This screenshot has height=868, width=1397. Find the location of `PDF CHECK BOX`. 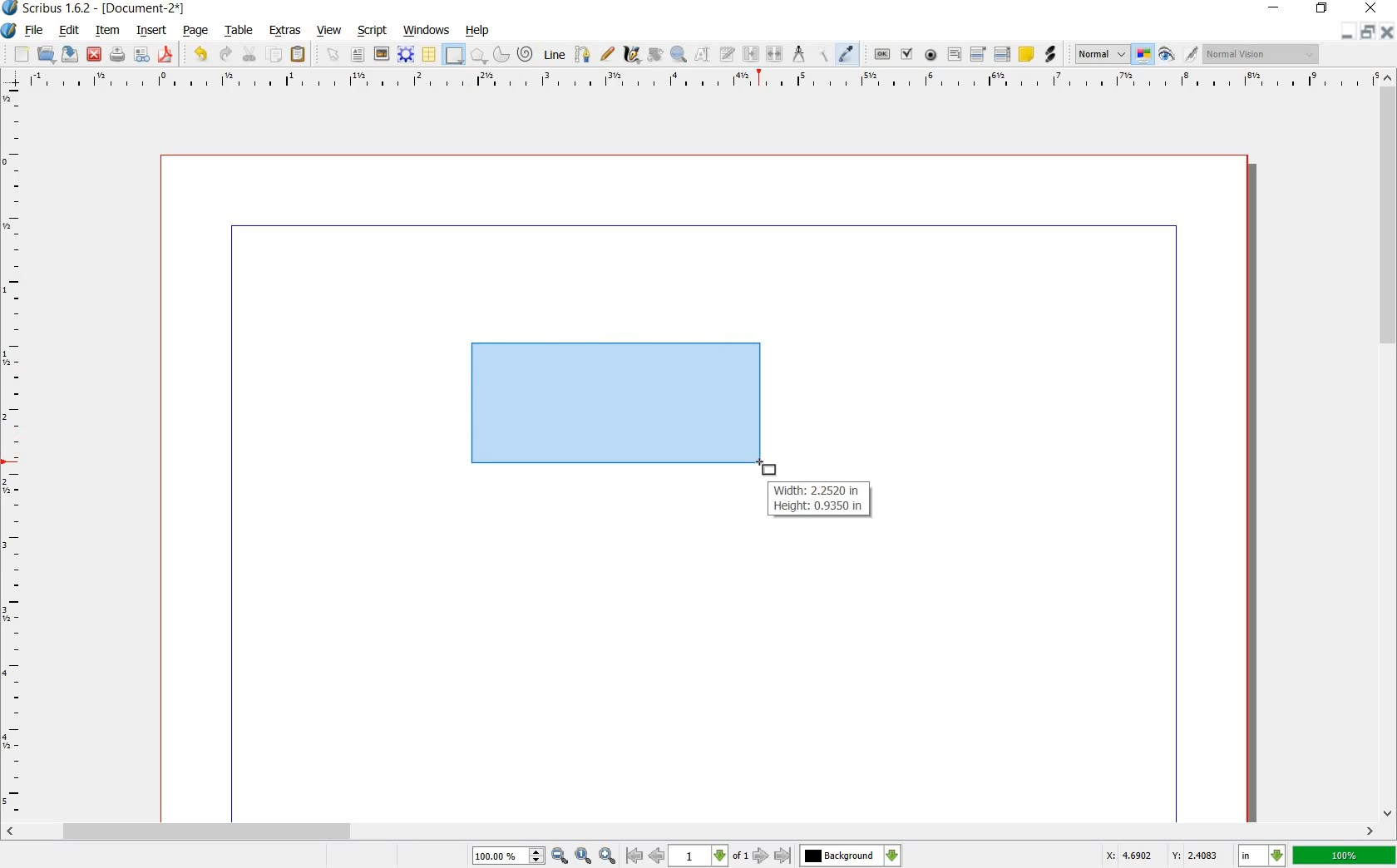

PDF CHECK BOX is located at coordinates (907, 54).